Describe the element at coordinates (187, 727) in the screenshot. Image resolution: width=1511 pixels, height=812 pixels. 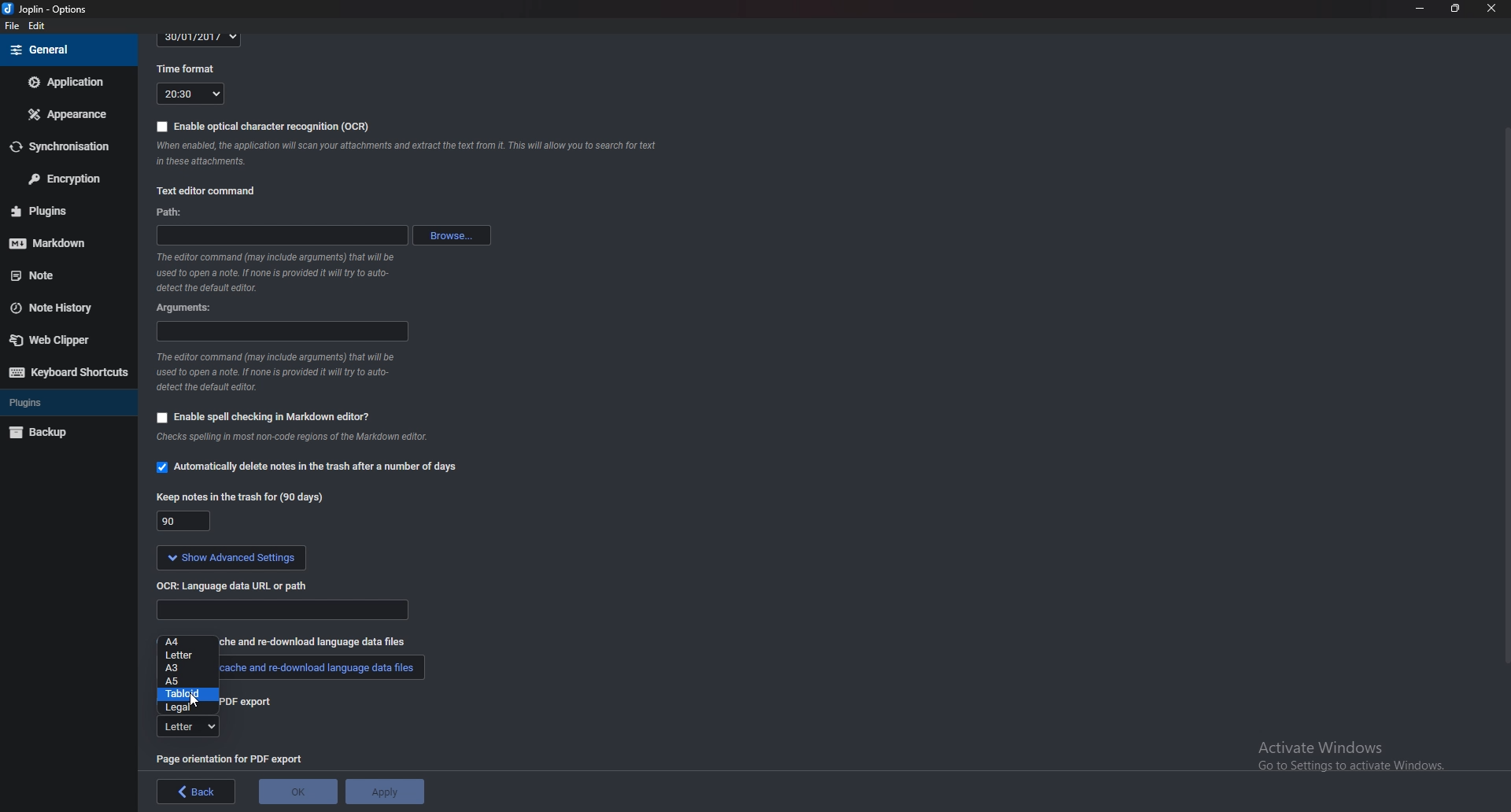
I see `Letter` at that location.